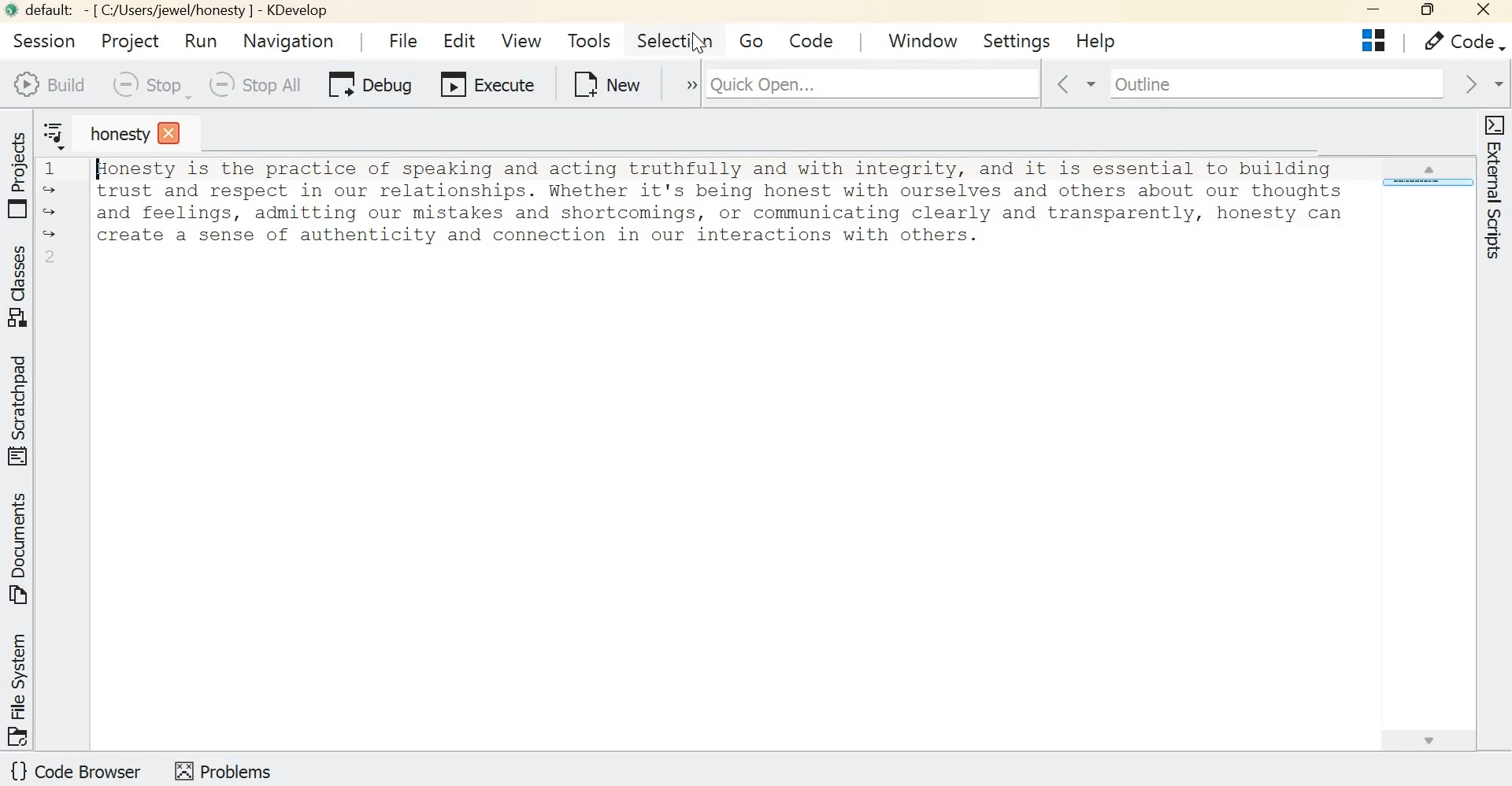  What do you see at coordinates (371, 87) in the screenshot?
I see `Debug current launch` at bounding box center [371, 87].